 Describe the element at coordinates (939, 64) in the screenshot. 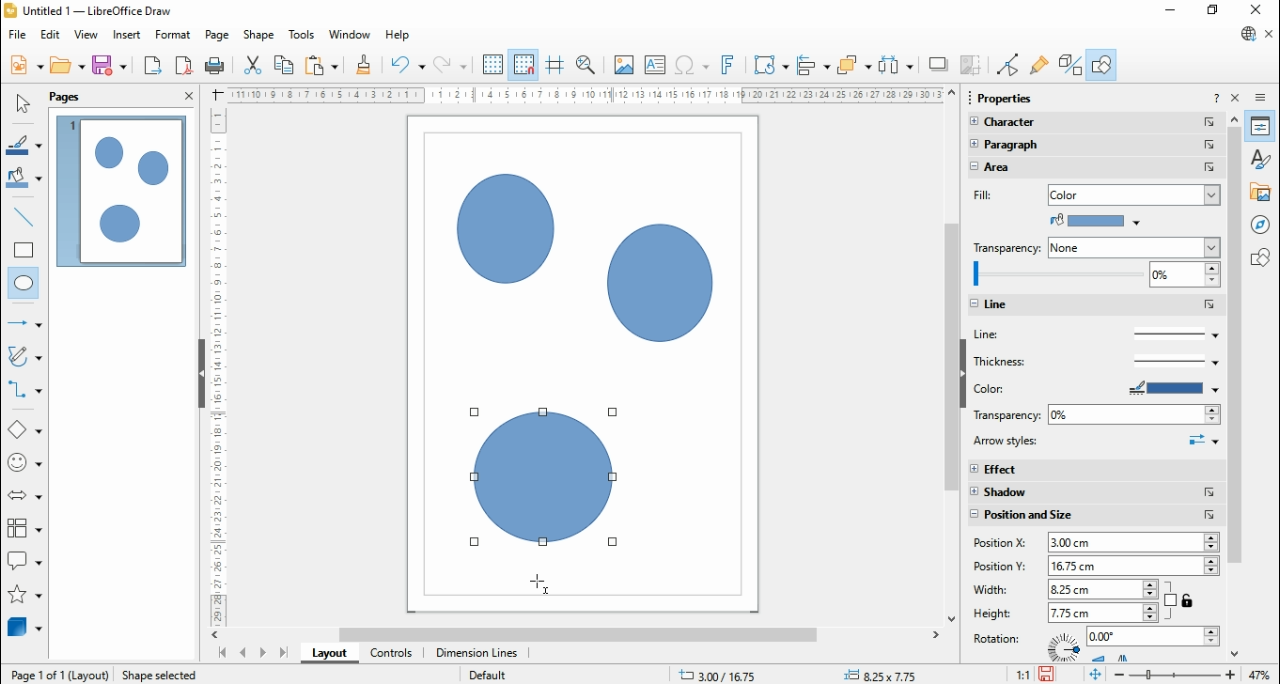

I see `shadow` at that location.